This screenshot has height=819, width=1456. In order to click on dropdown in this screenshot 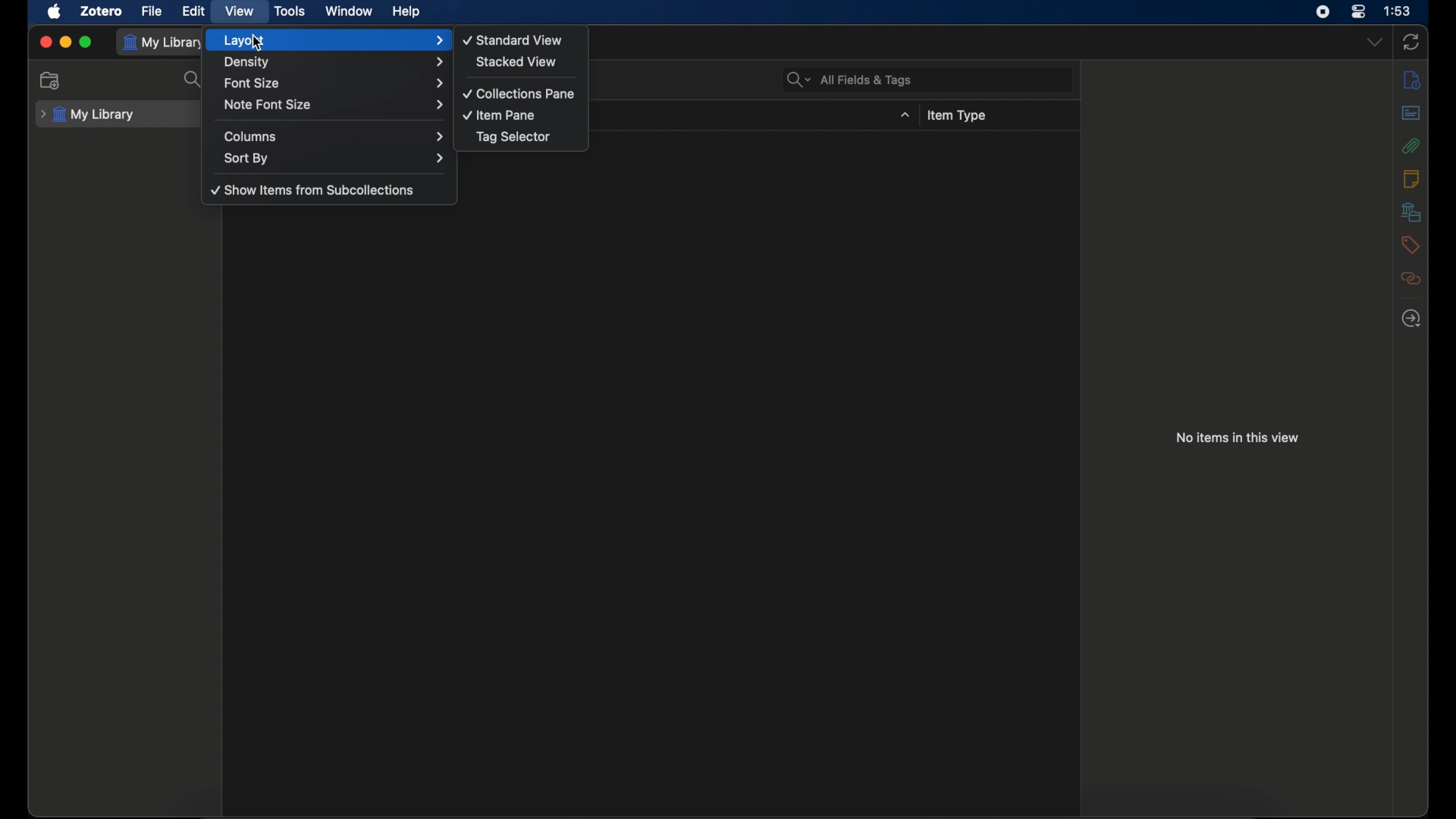, I will do `click(905, 115)`.